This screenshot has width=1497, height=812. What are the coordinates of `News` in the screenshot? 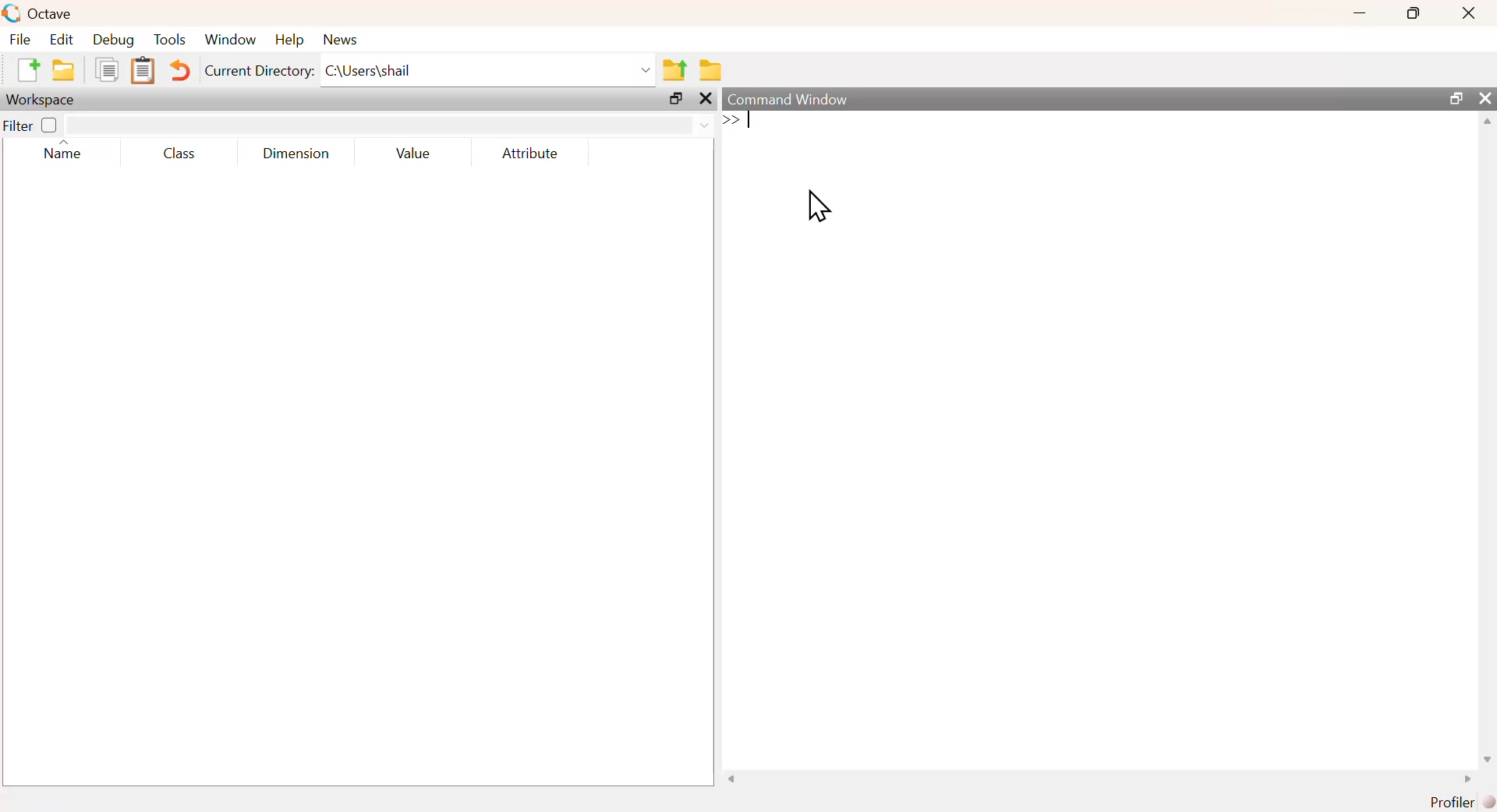 It's located at (342, 39).